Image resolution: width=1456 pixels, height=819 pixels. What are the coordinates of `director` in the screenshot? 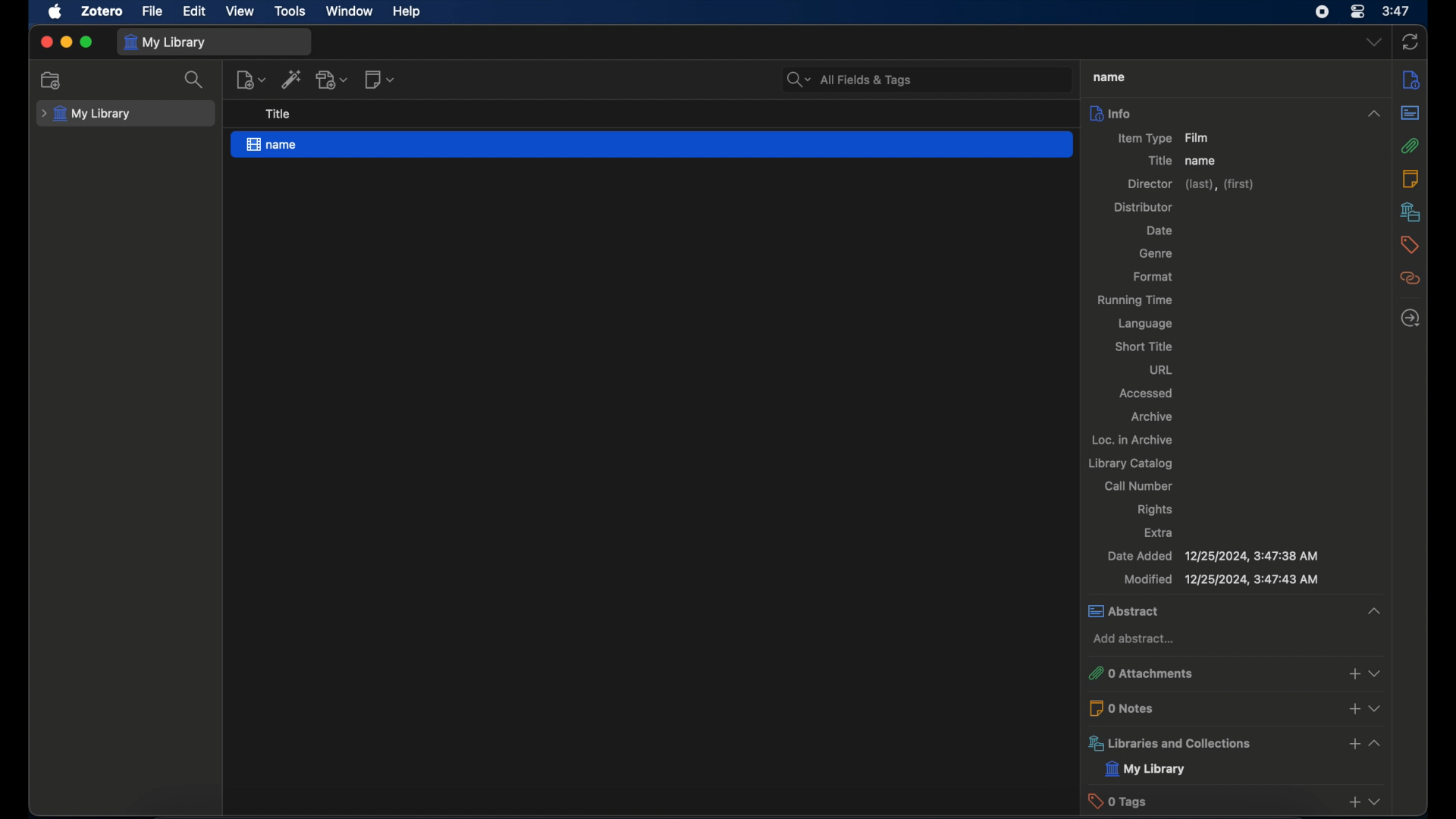 It's located at (1191, 185).